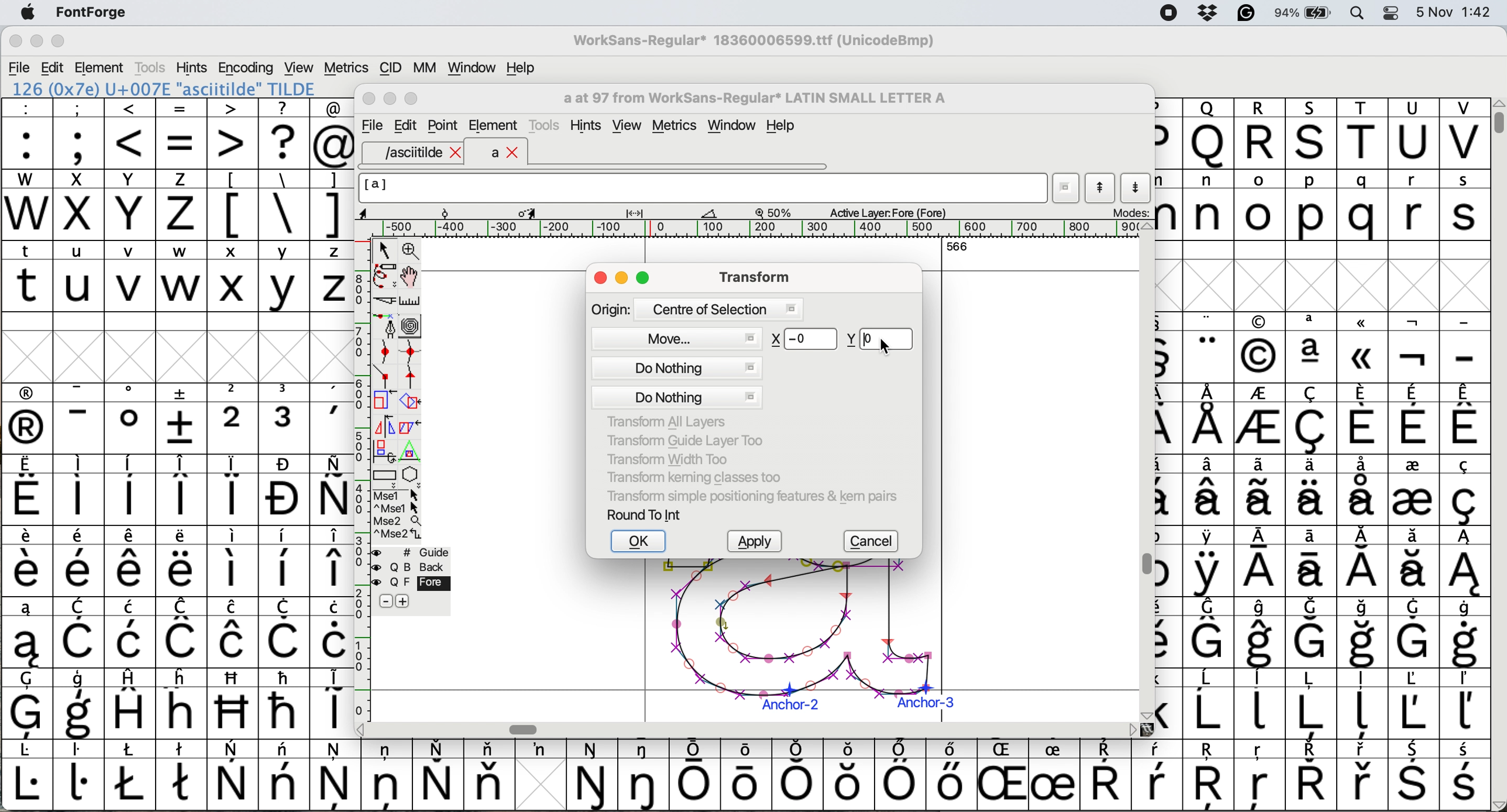  I want to click on measure distance, so click(411, 301).